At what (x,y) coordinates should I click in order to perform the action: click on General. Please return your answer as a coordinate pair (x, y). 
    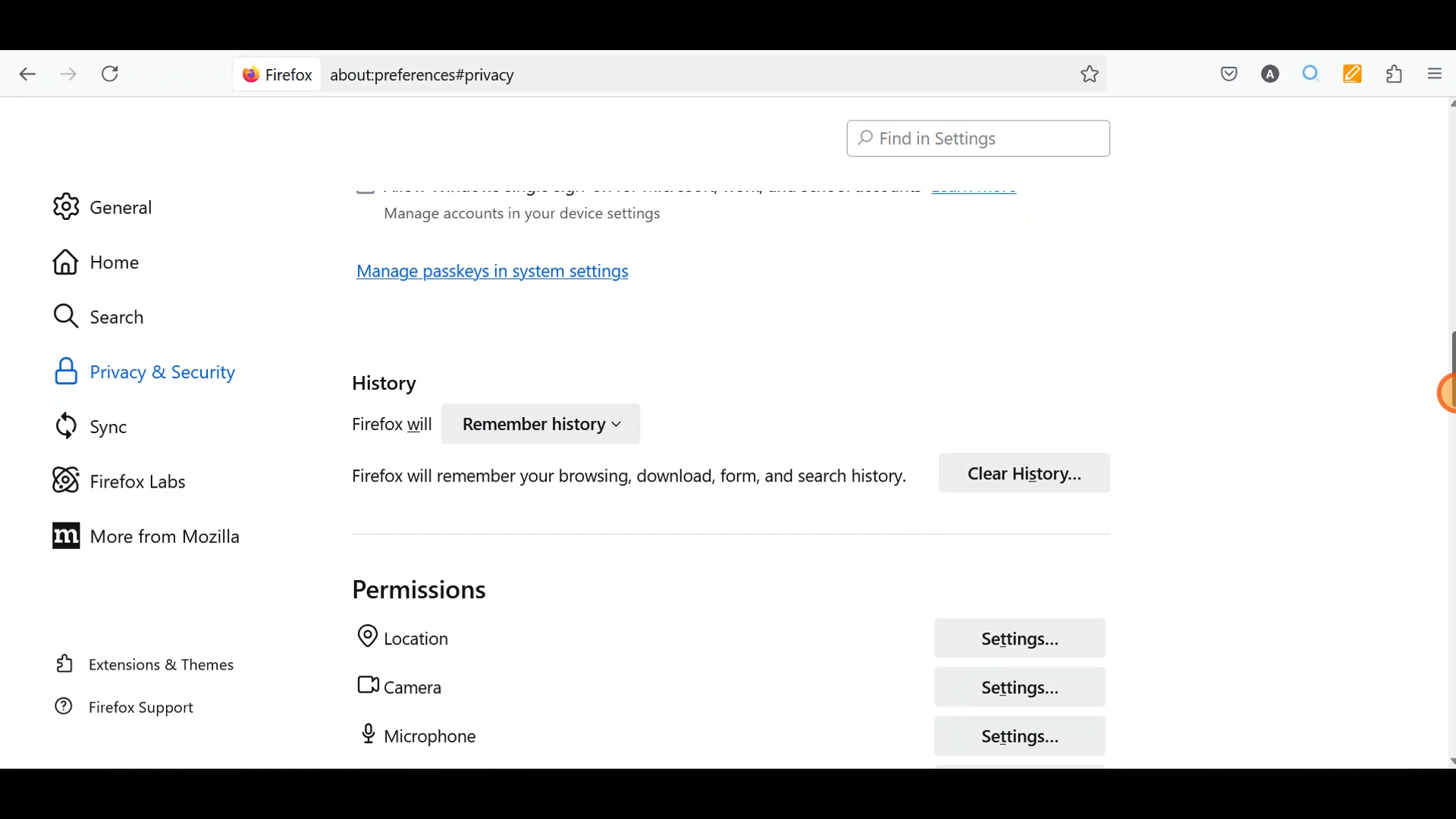
    Looking at the image, I should click on (104, 196).